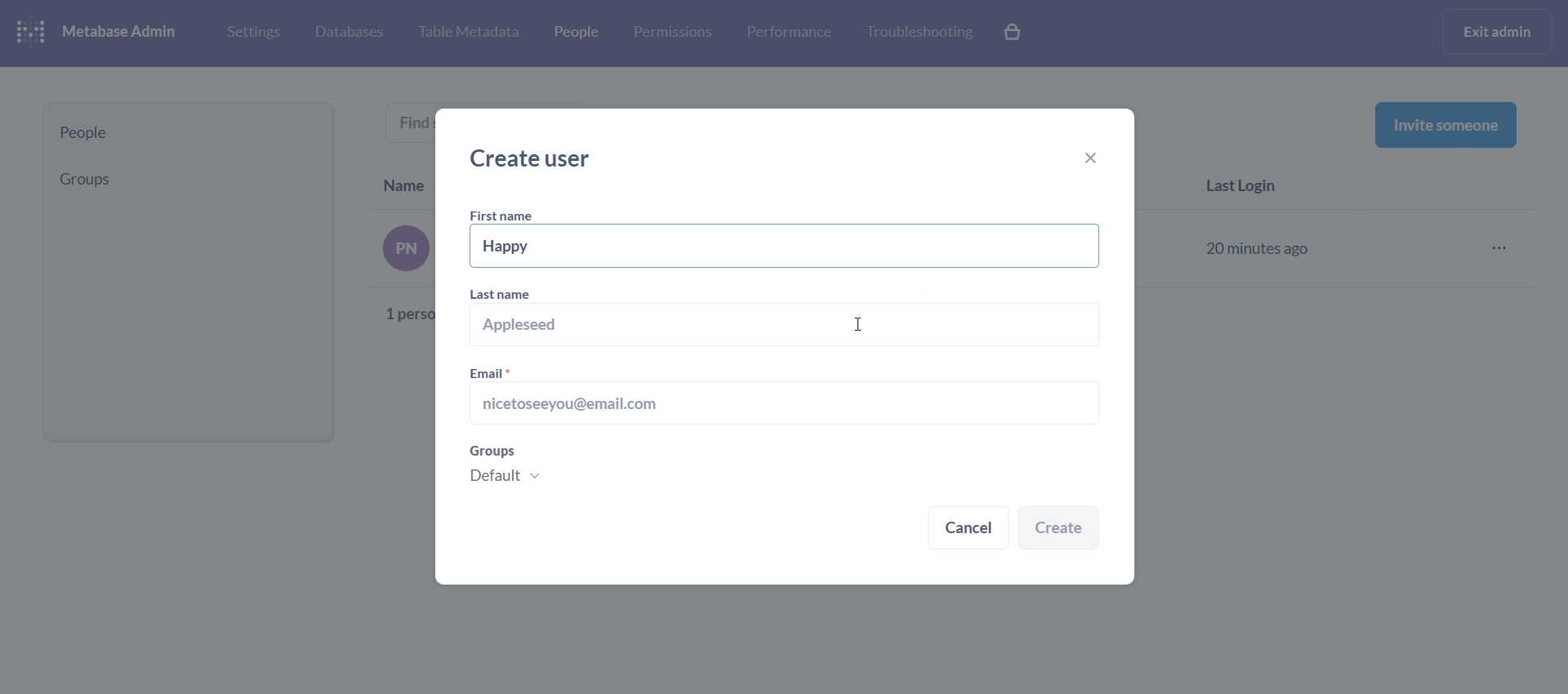  I want to click on cancel, so click(969, 530).